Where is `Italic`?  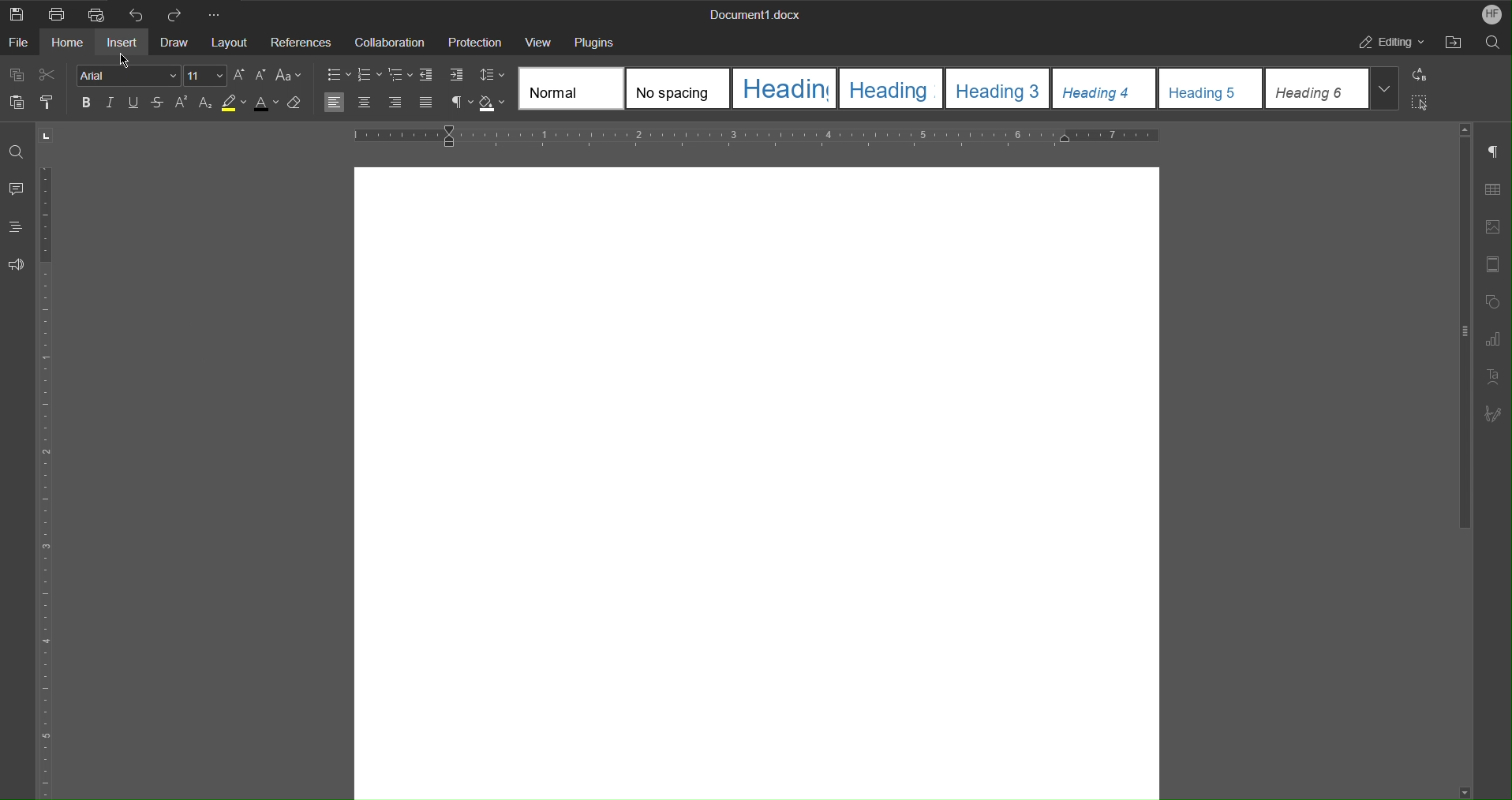 Italic is located at coordinates (110, 101).